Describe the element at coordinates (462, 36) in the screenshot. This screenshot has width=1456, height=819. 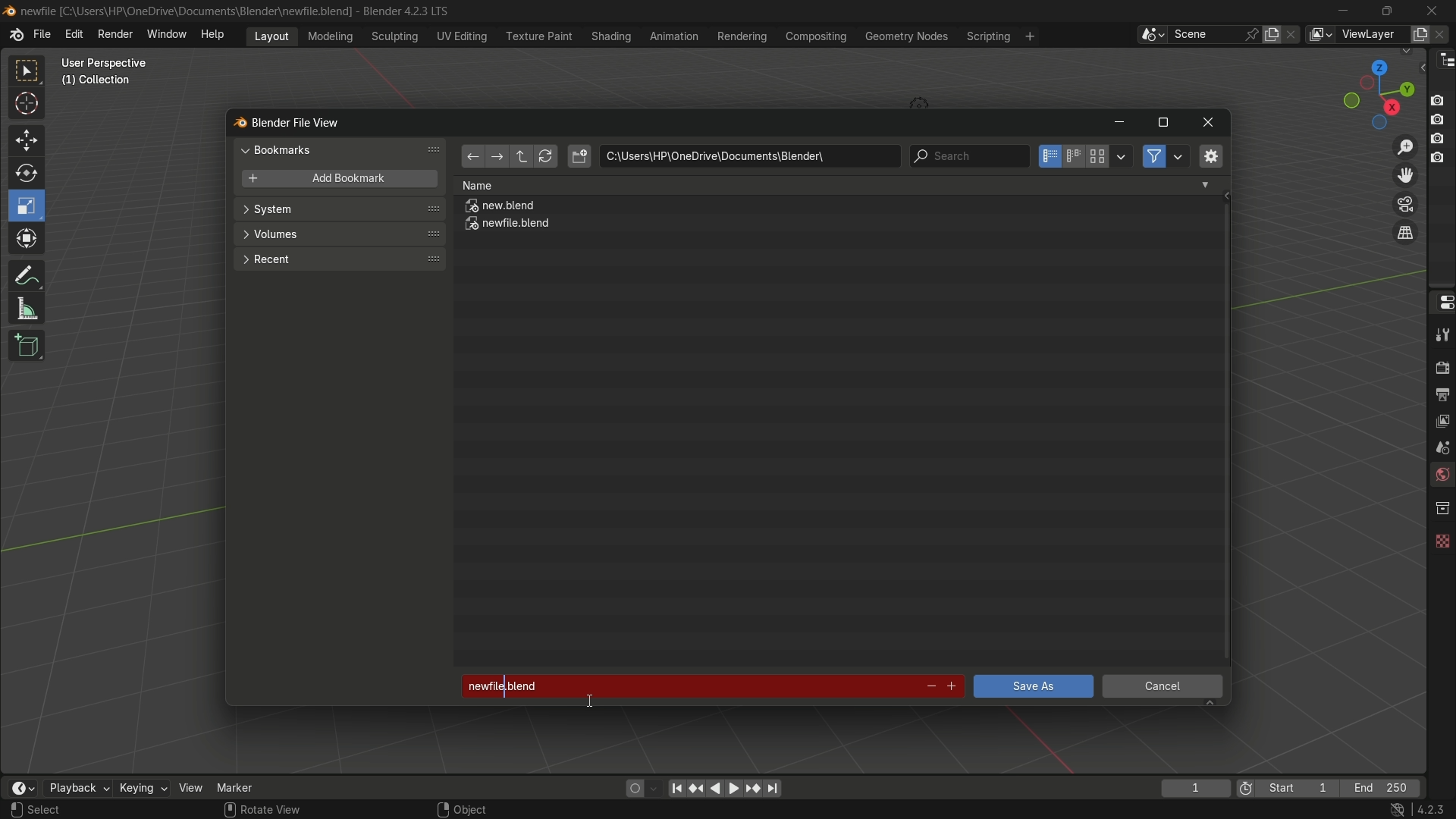
I see `uv editing menu` at that location.